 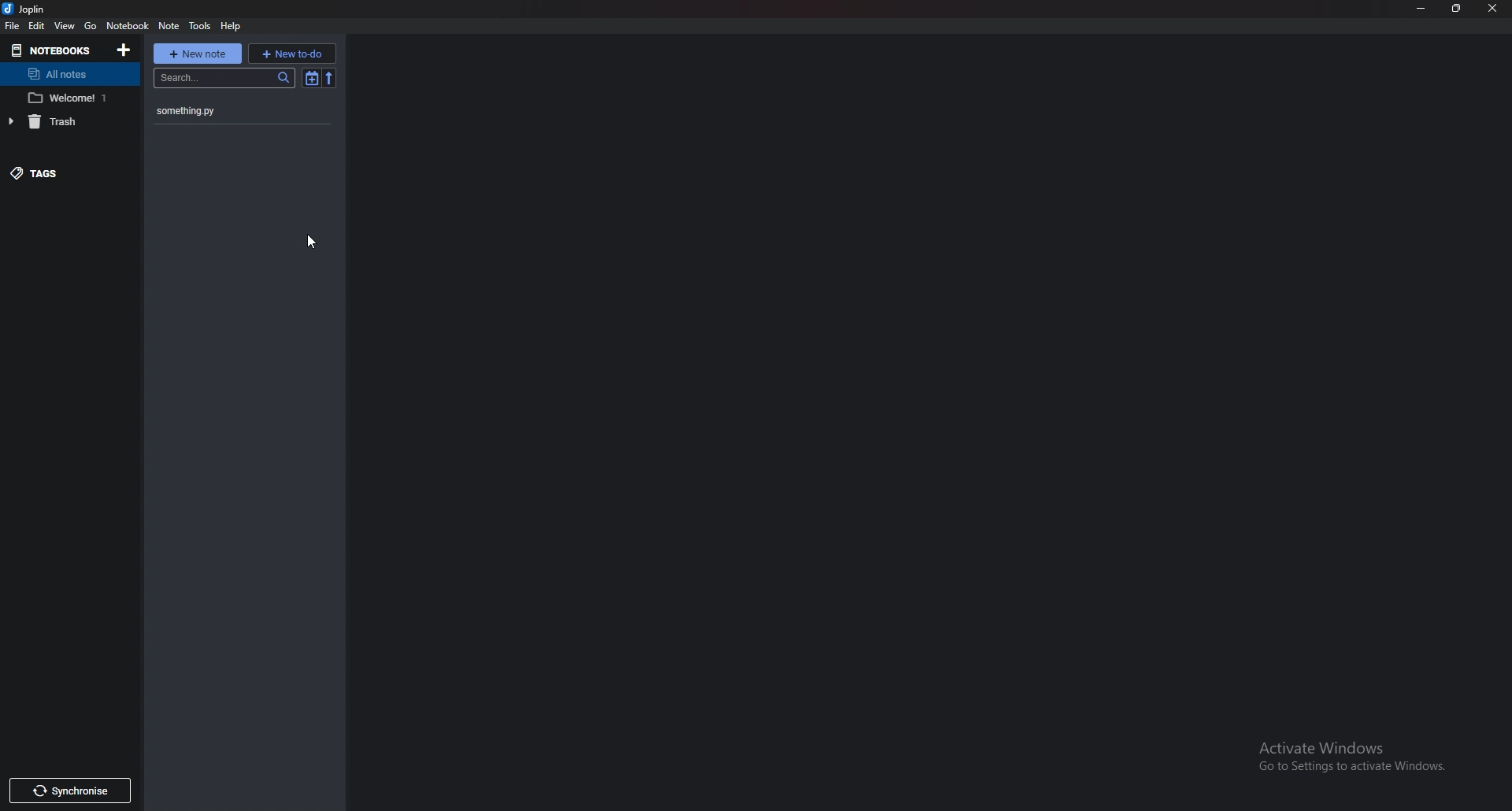 I want to click on trash, so click(x=59, y=122).